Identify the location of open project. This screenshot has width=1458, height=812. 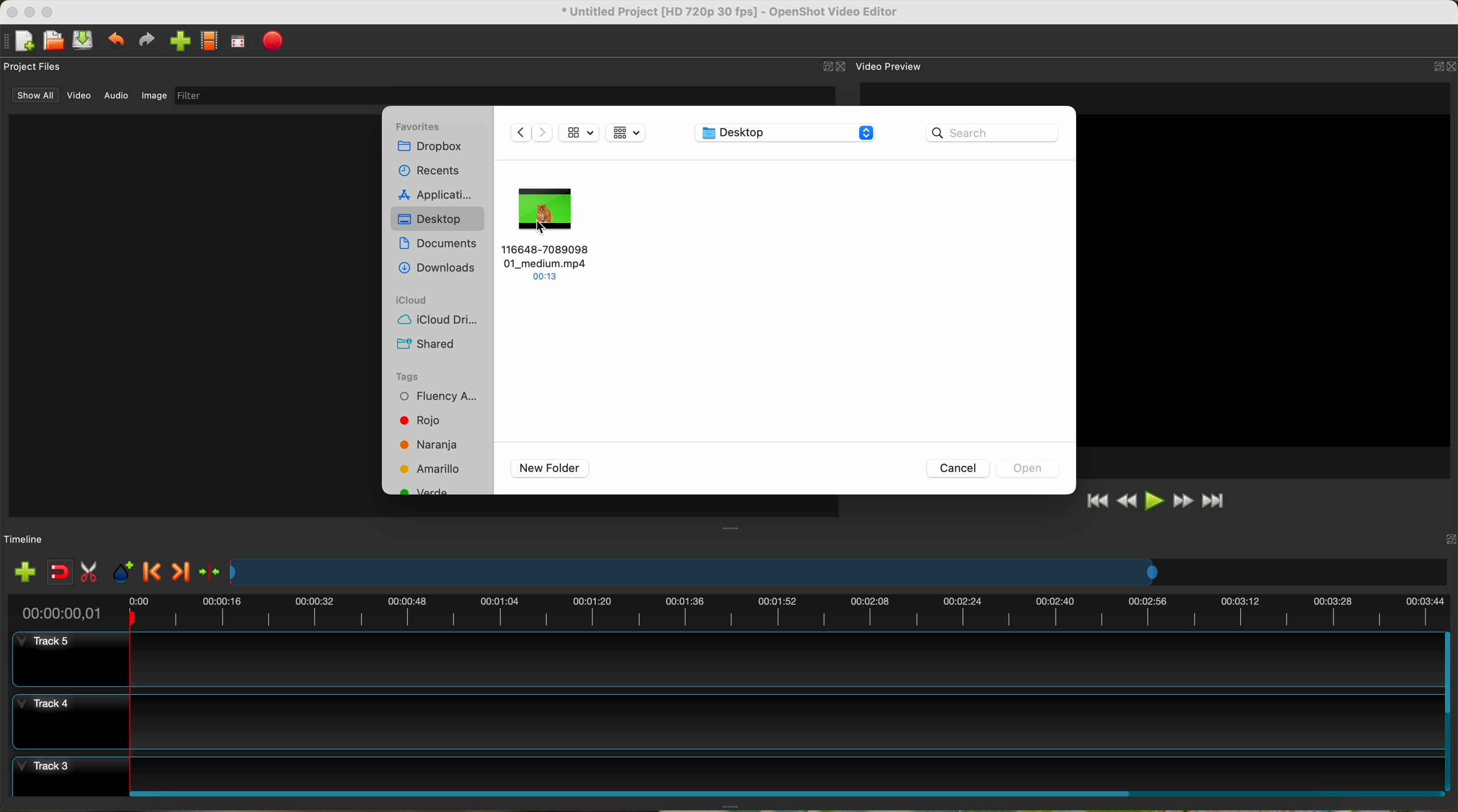
(55, 40).